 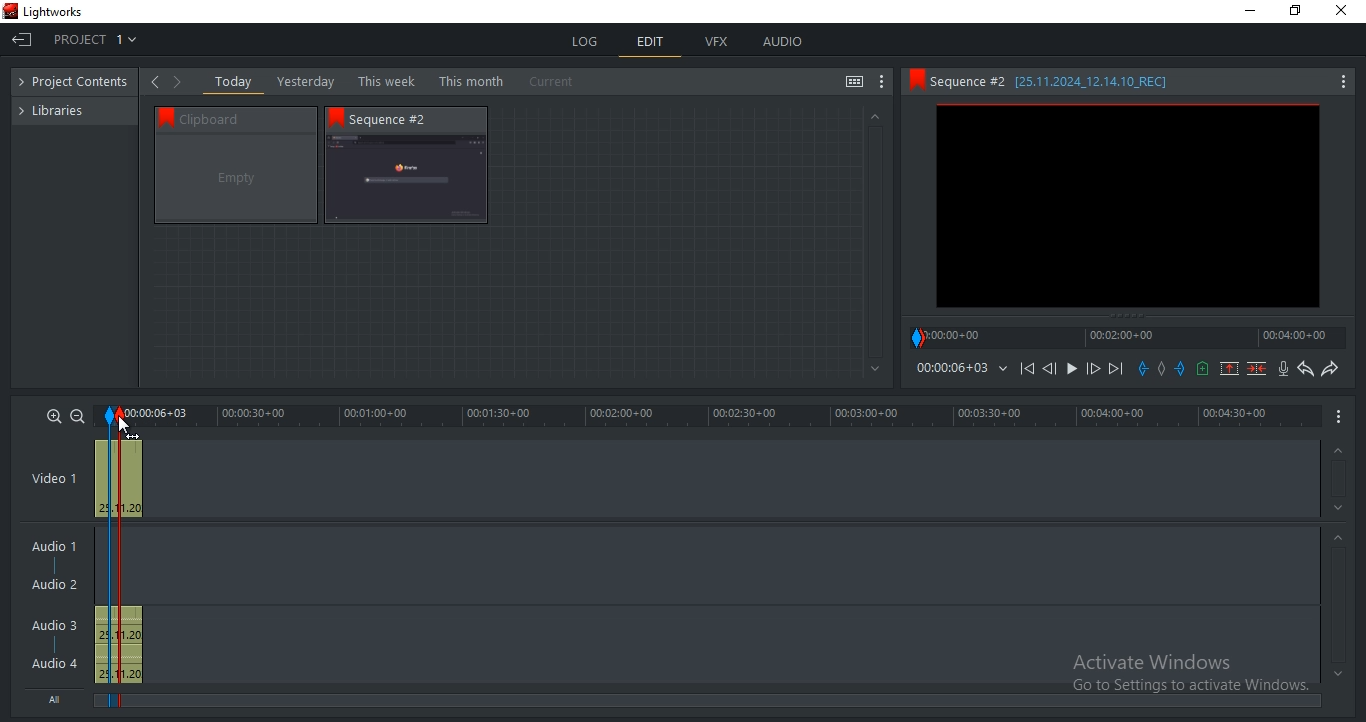 What do you see at coordinates (50, 548) in the screenshot?
I see `Audio 1` at bounding box center [50, 548].